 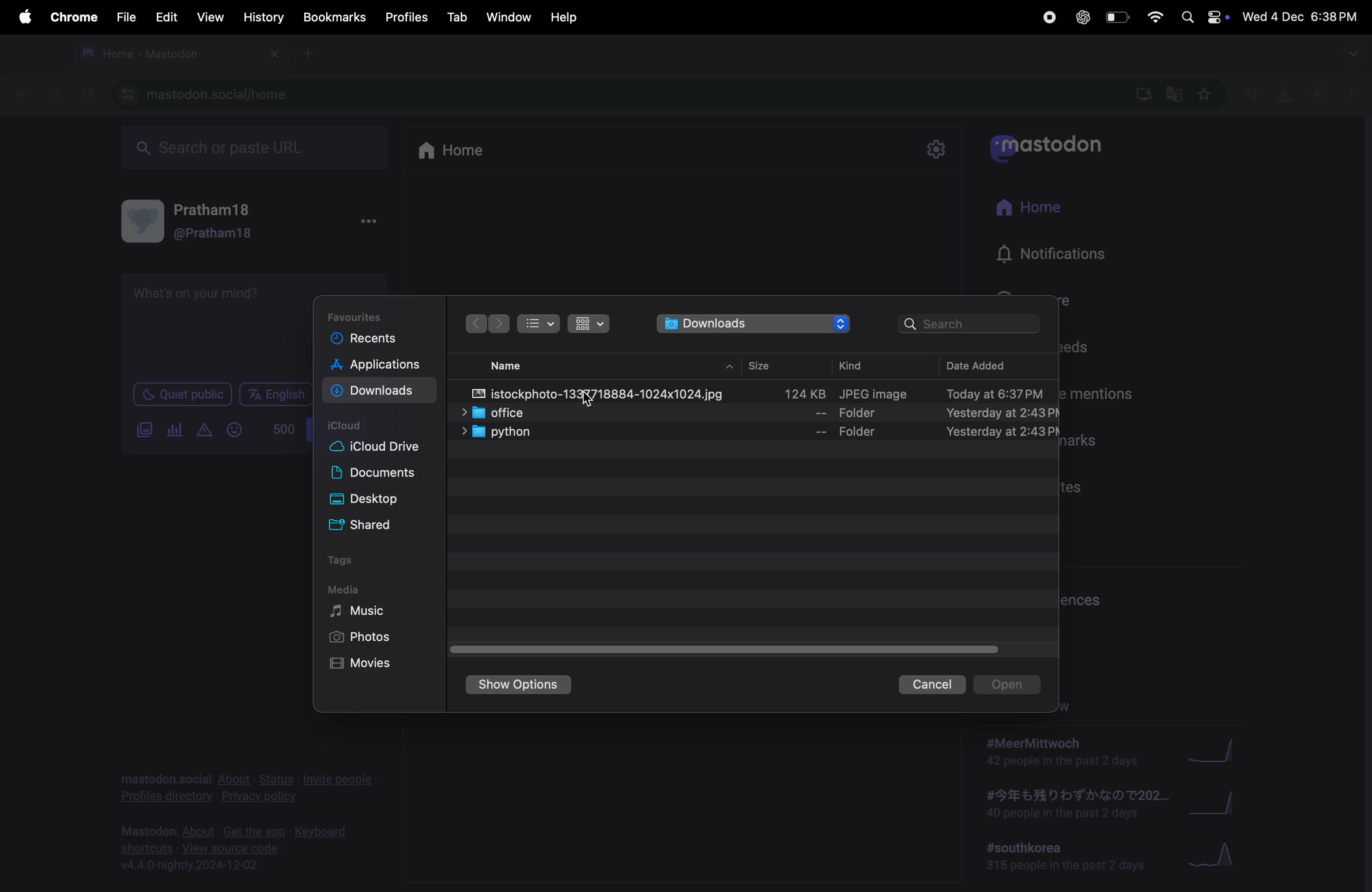 What do you see at coordinates (1143, 95) in the screenshot?
I see `download mastdon` at bounding box center [1143, 95].